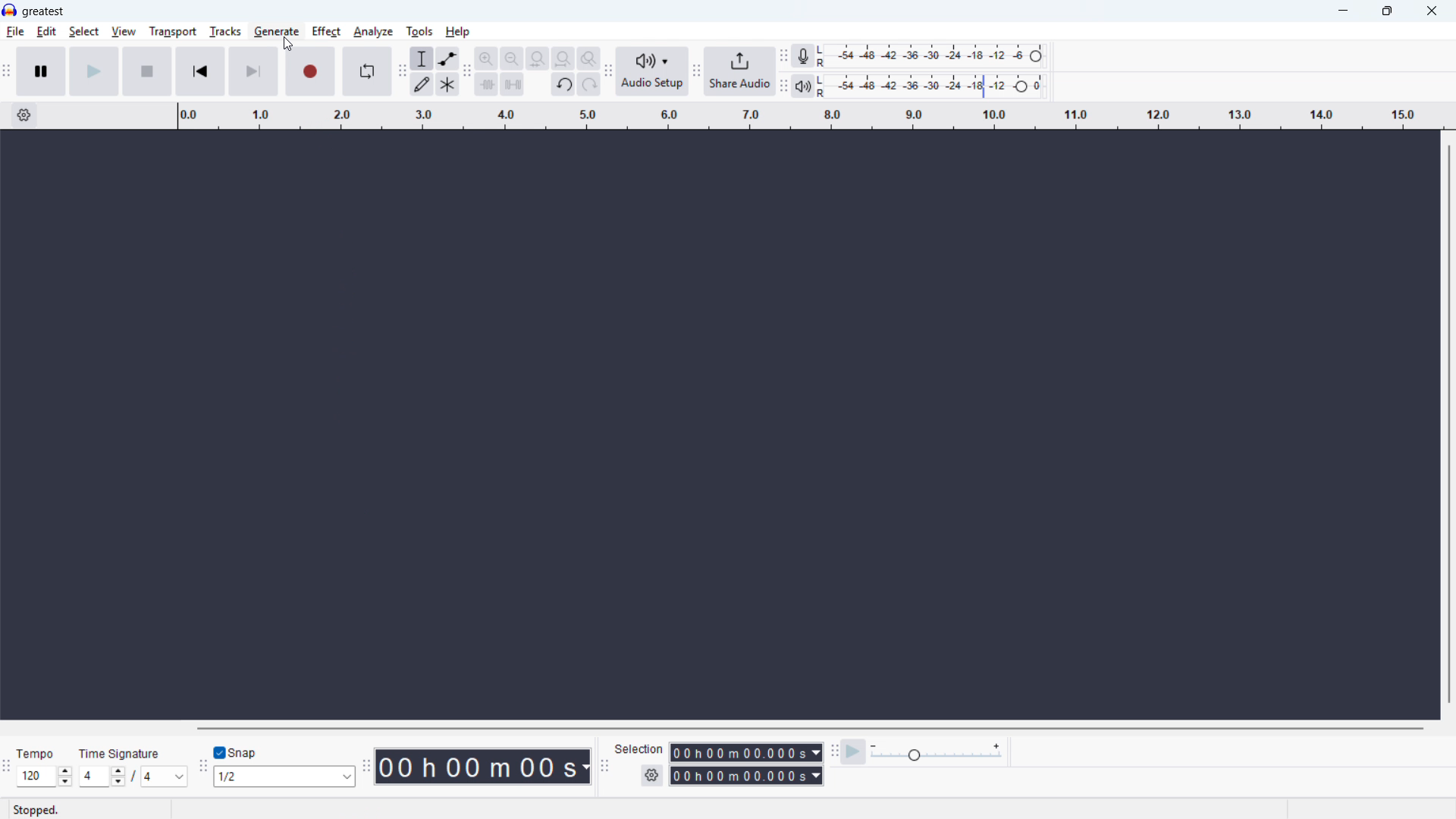 The width and height of the screenshot is (1456, 819). I want to click on tempo, so click(39, 754).